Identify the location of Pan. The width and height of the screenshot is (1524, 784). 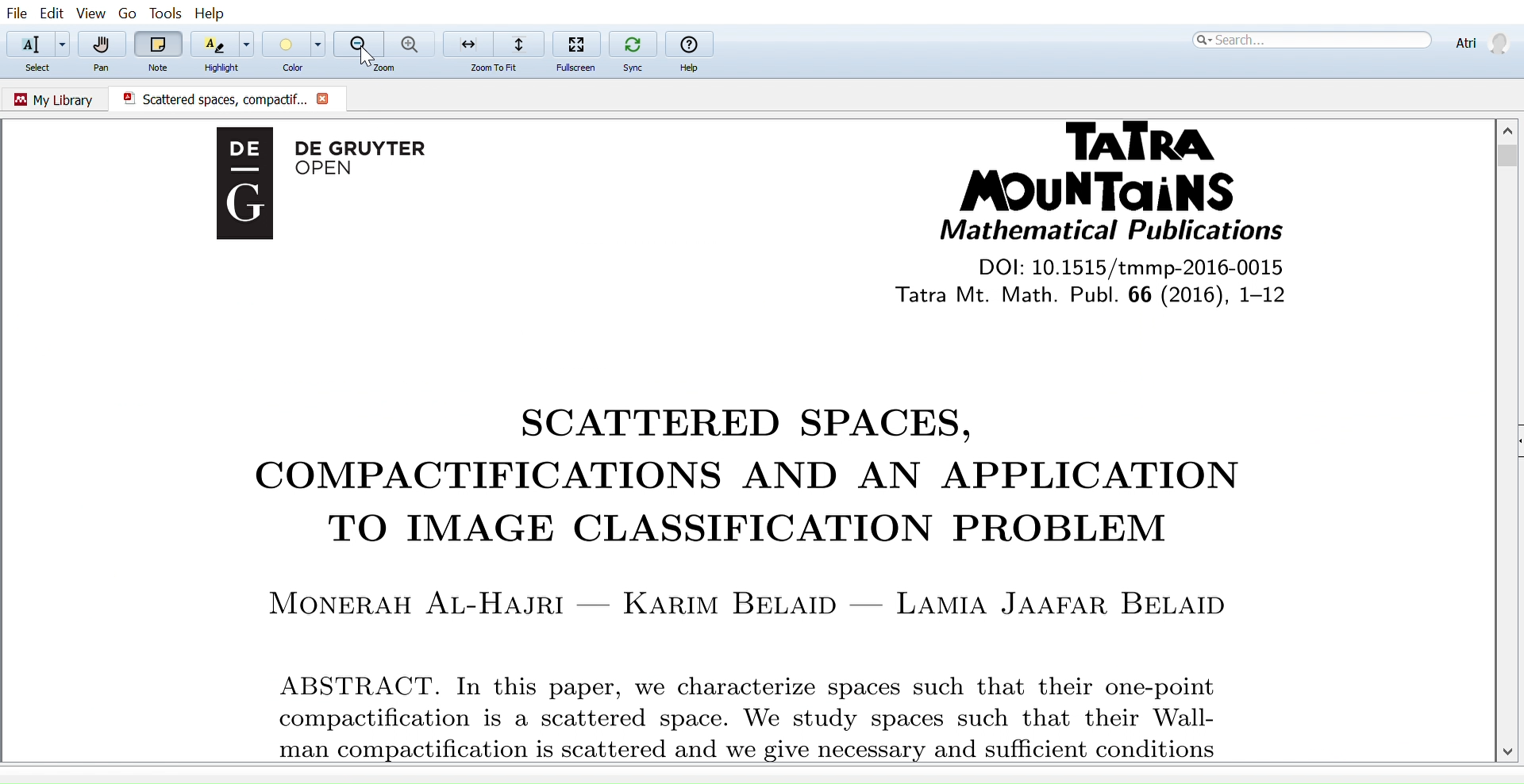
(103, 69).